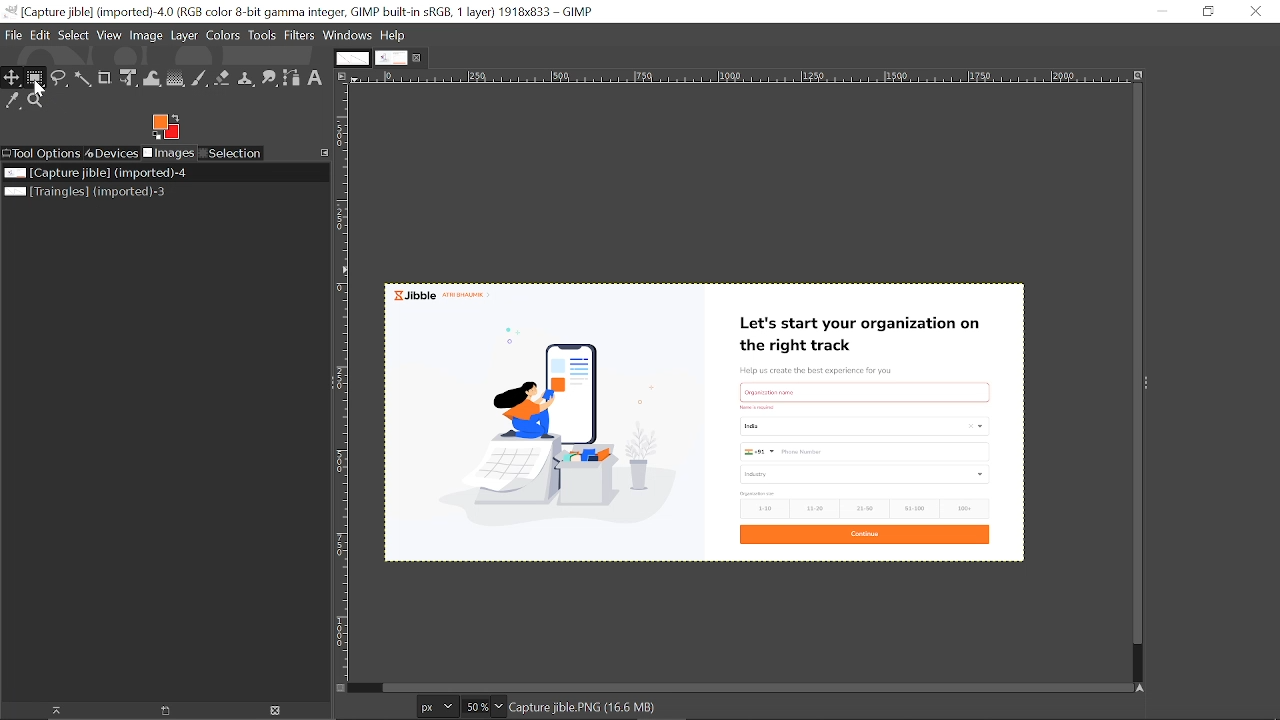 Image resolution: width=1280 pixels, height=720 pixels. What do you see at coordinates (104, 77) in the screenshot?
I see `Crop tool` at bounding box center [104, 77].